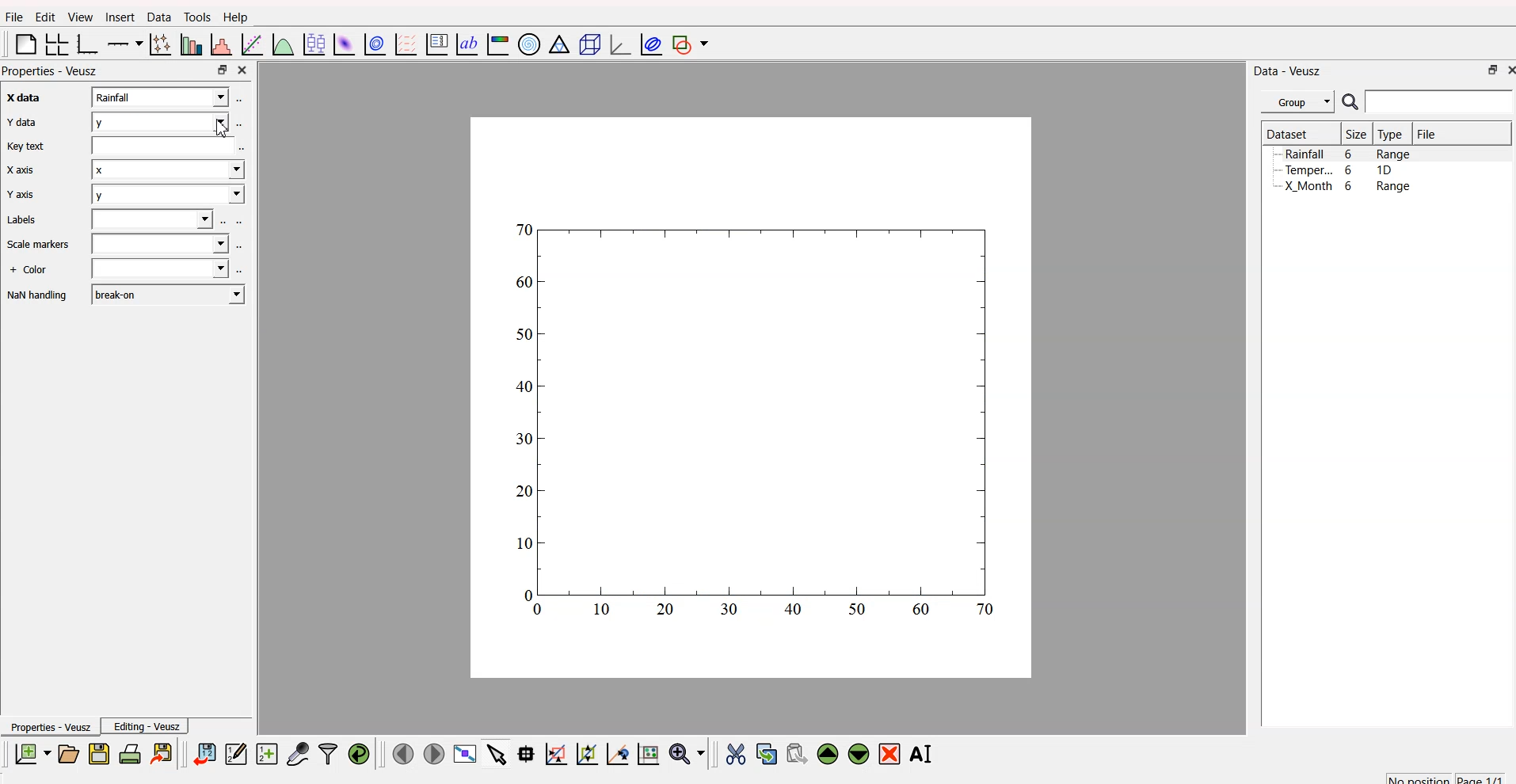 The image size is (1516, 784). Describe the element at coordinates (358, 752) in the screenshot. I see `reload linked dataset` at that location.